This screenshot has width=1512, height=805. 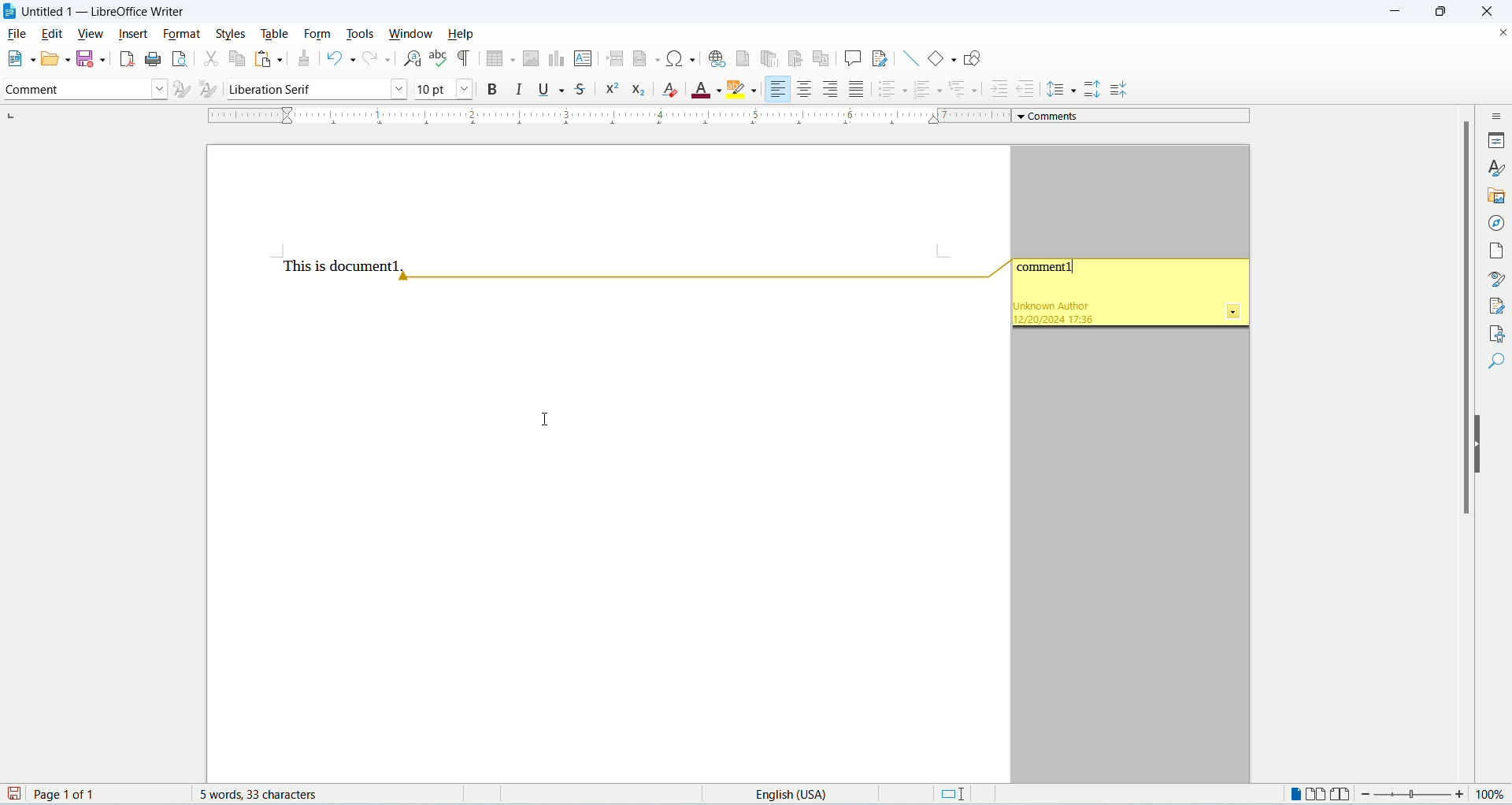 I want to click on italics, so click(x=517, y=89).